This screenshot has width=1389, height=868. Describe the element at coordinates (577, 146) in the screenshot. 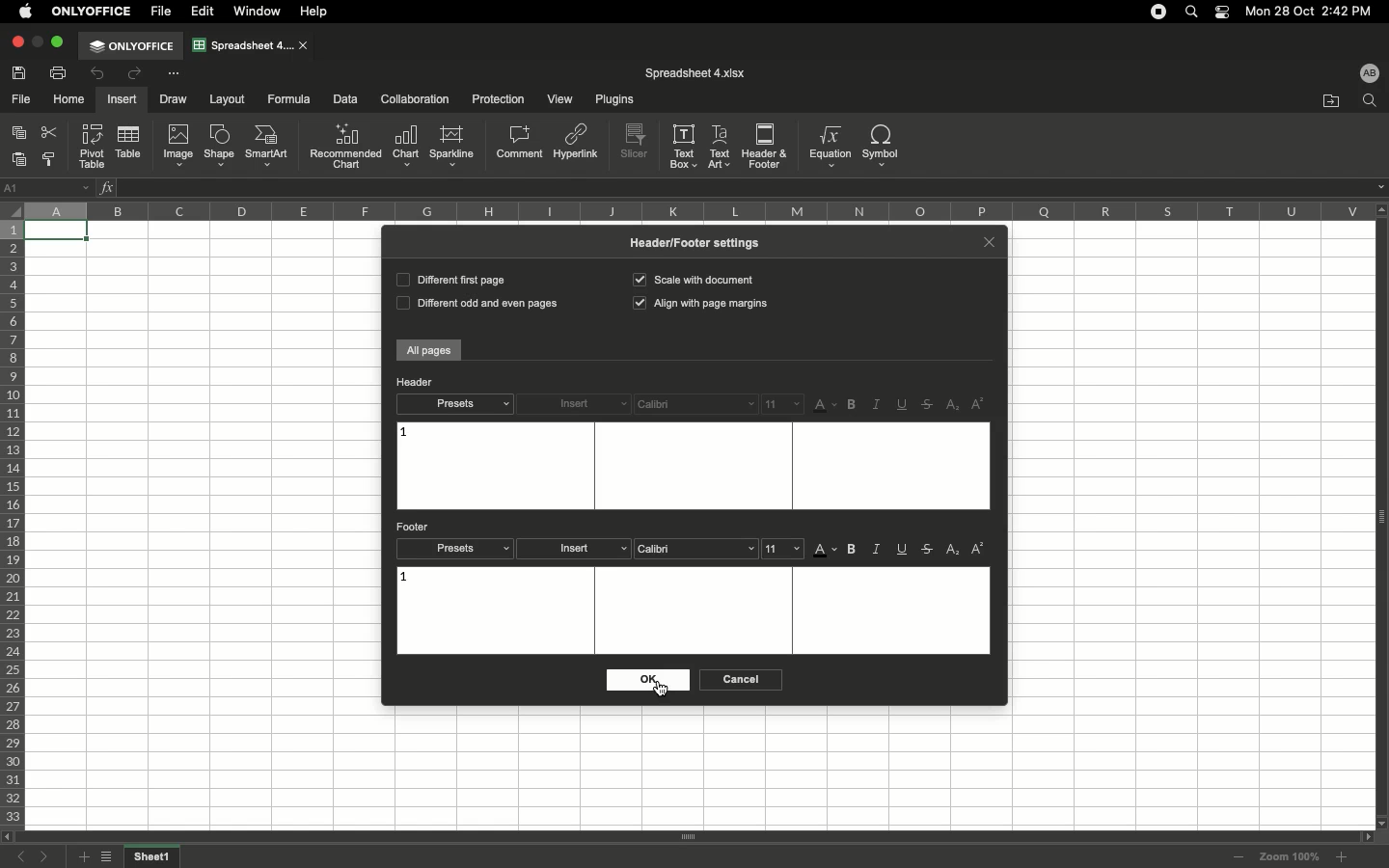

I see `Hyperlink` at that location.